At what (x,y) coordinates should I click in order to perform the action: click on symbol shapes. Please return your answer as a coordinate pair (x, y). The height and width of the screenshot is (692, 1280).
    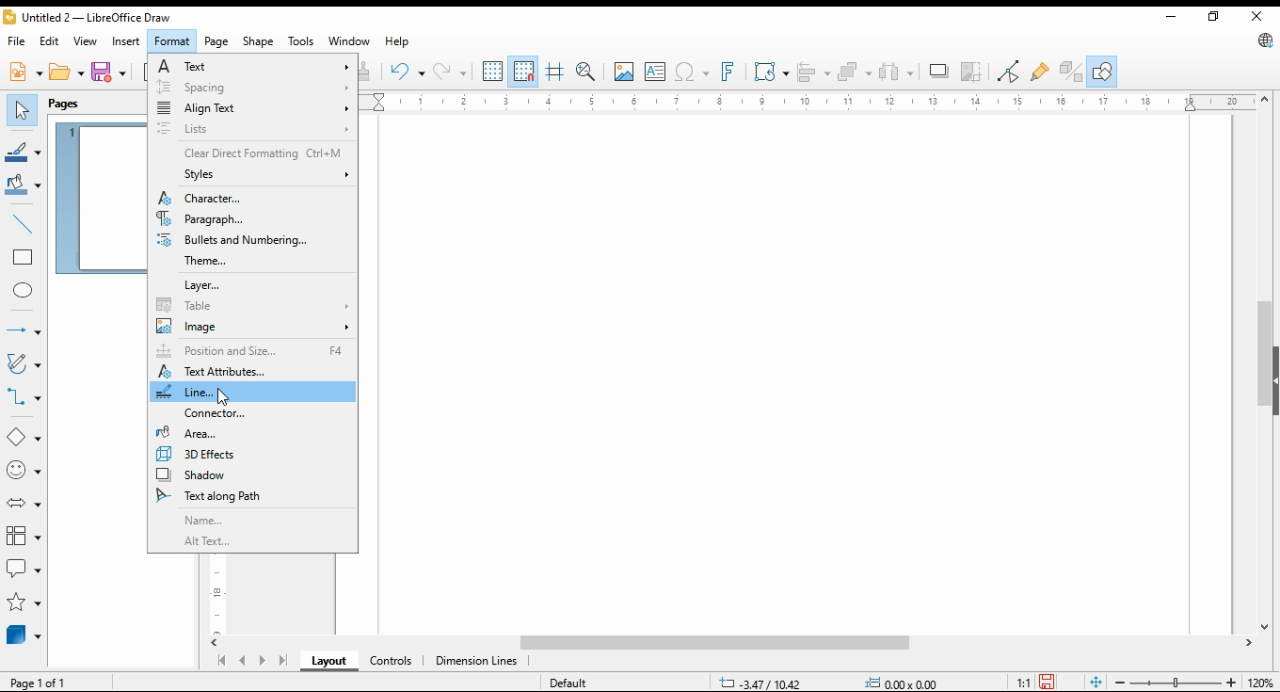
    Looking at the image, I should click on (25, 469).